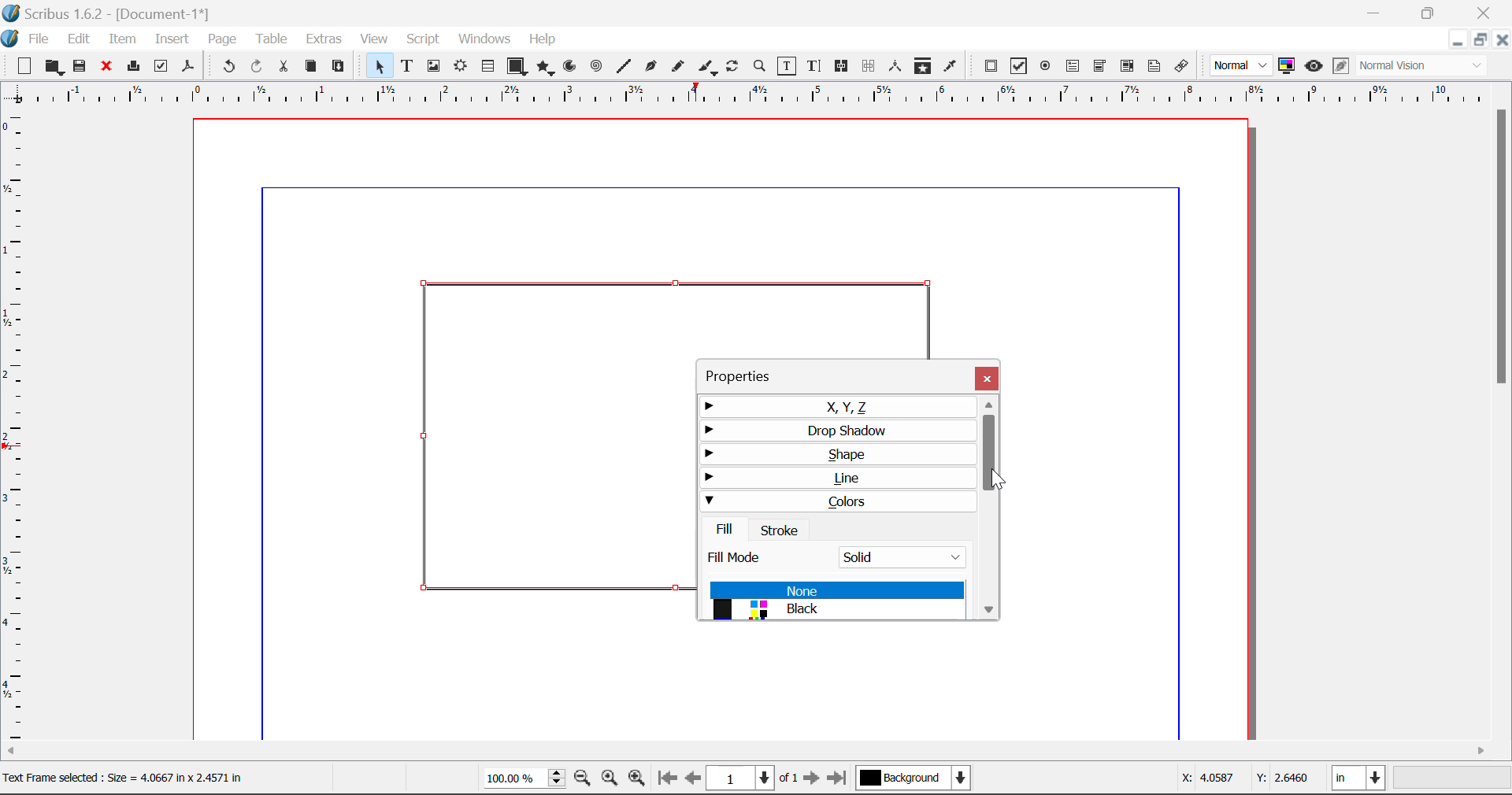 This screenshot has width=1512, height=795. I want to click on Extras, so click(325, 39).